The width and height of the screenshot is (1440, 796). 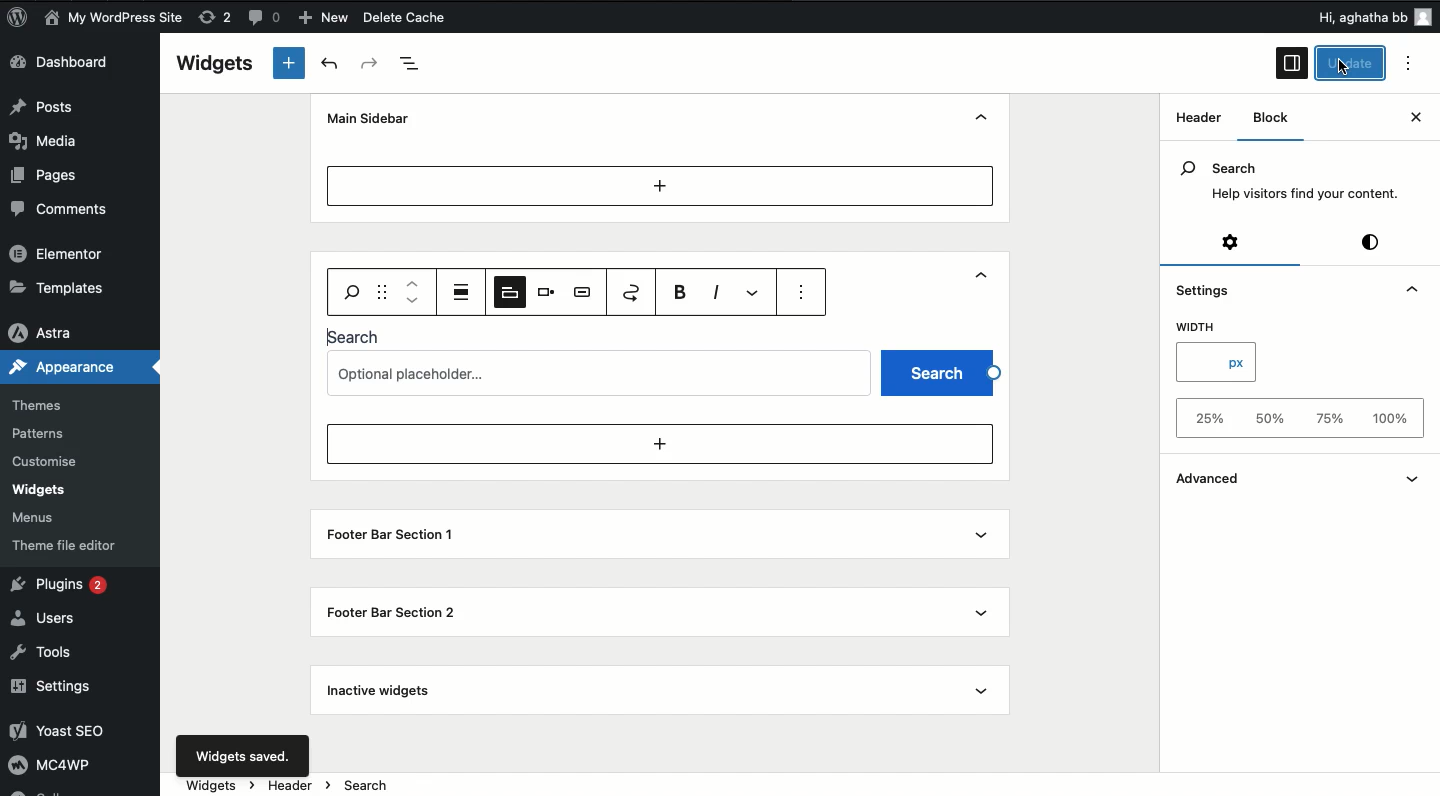 What do you see at coordinates (73, 733) in the screenshot?
I see `Yoast SEO` at bounding box center [73, 733].